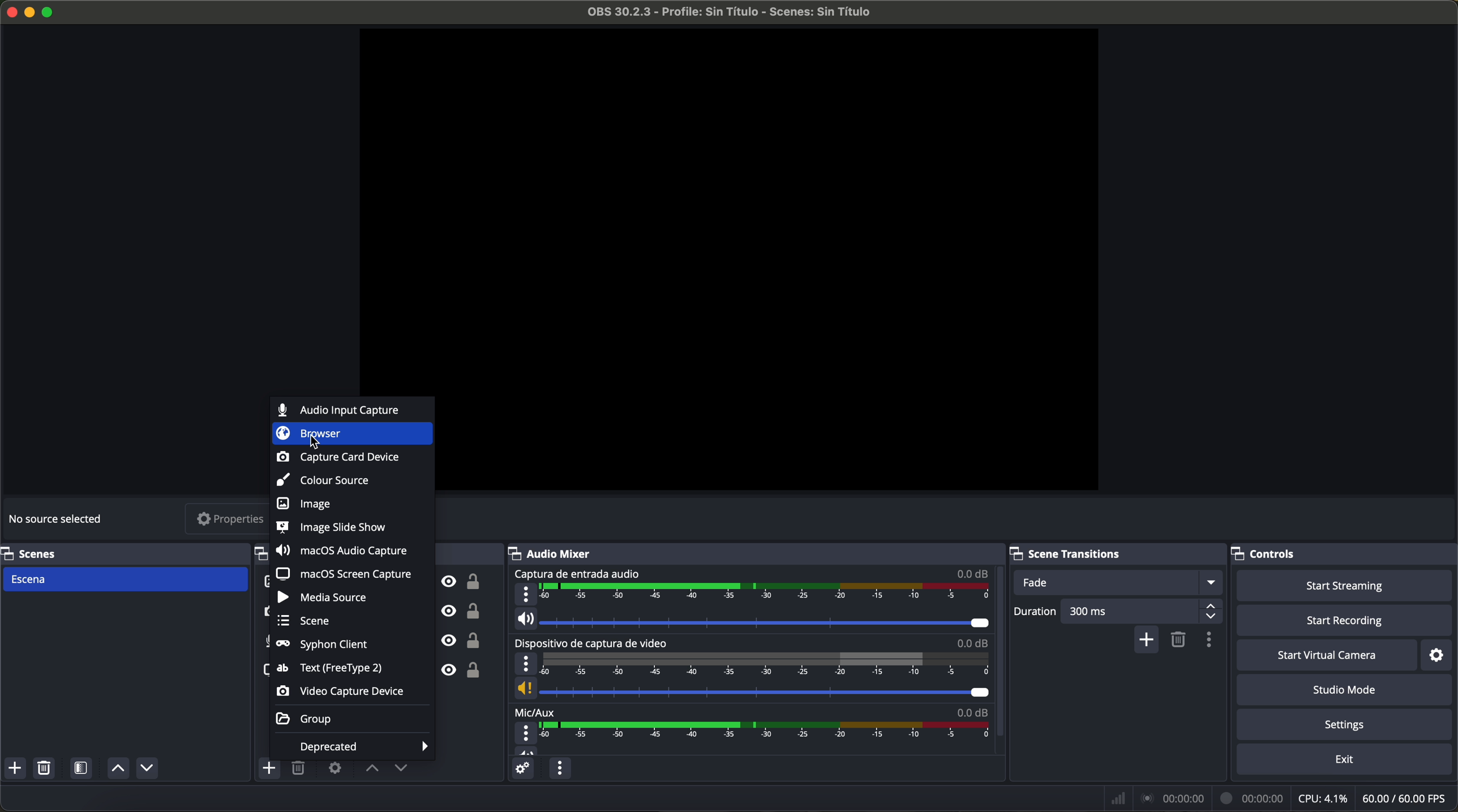 This screenshot has height=812, width=1458. What do you see at coordinates (460, 620) in the screenshot?
I see `unlock/visible` at bounding box center [460, 620].